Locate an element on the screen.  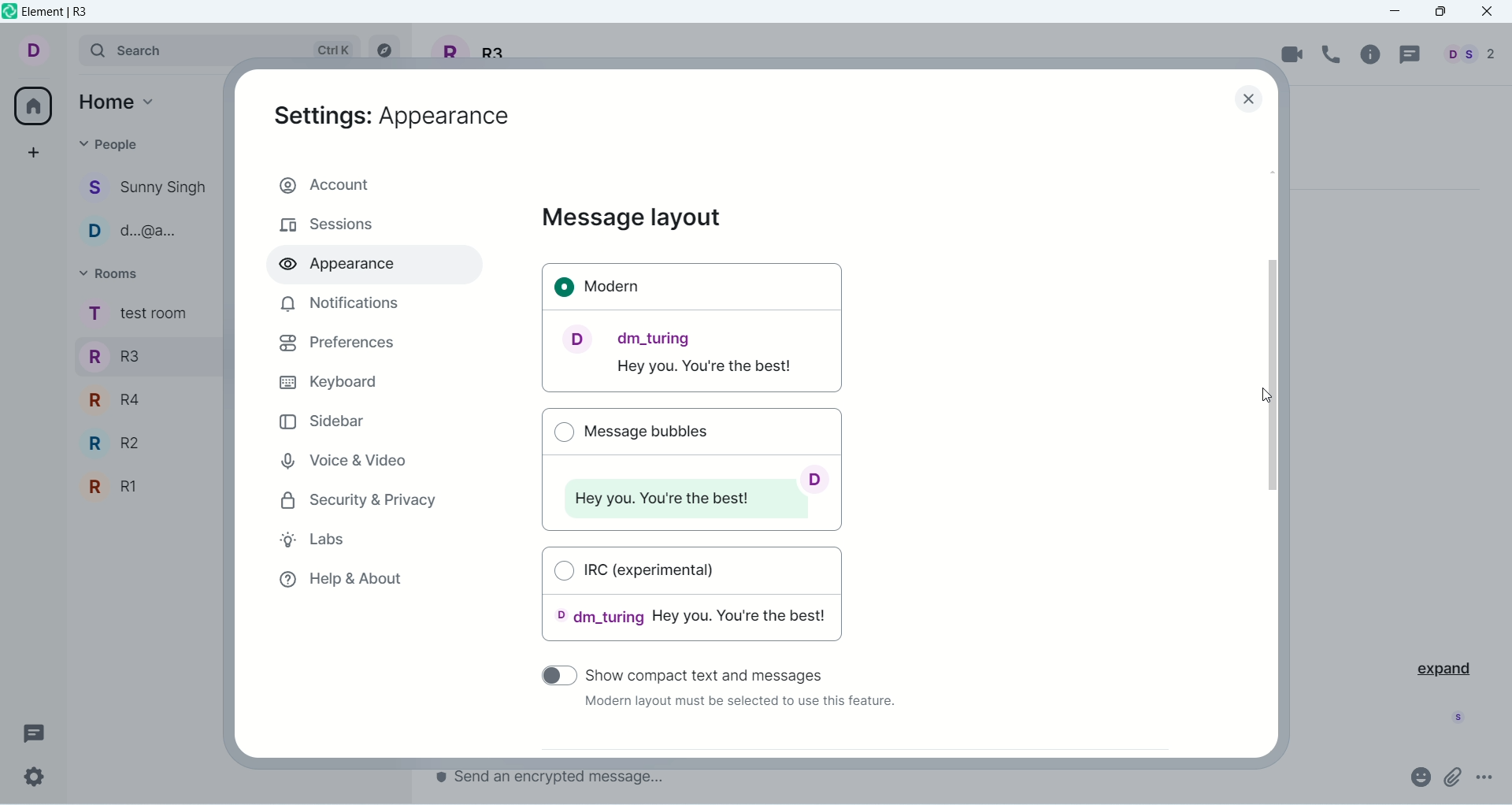
help & about is located at coordinates (339, 583).